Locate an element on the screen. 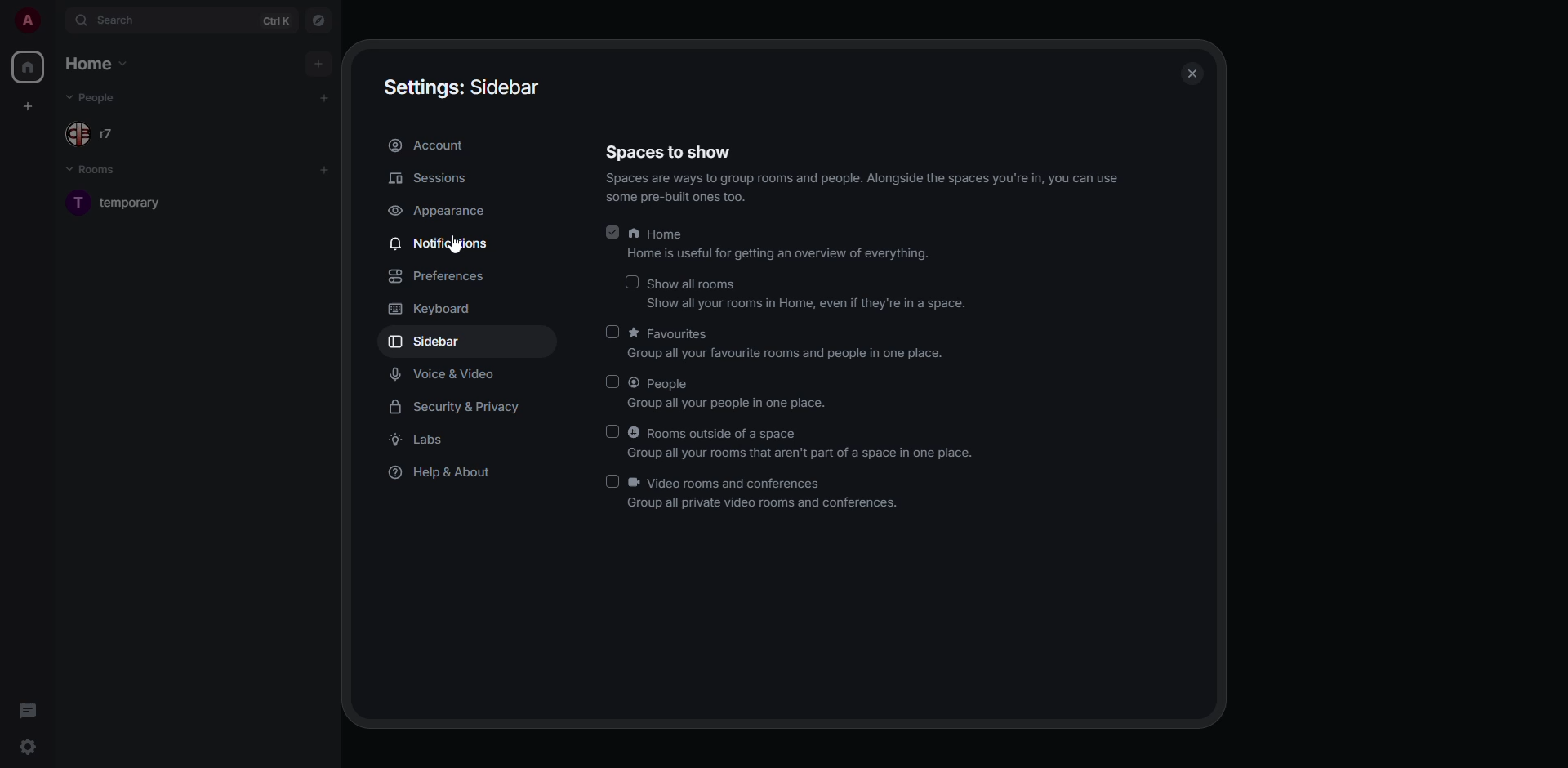  home is located at coordinates (784, 244).